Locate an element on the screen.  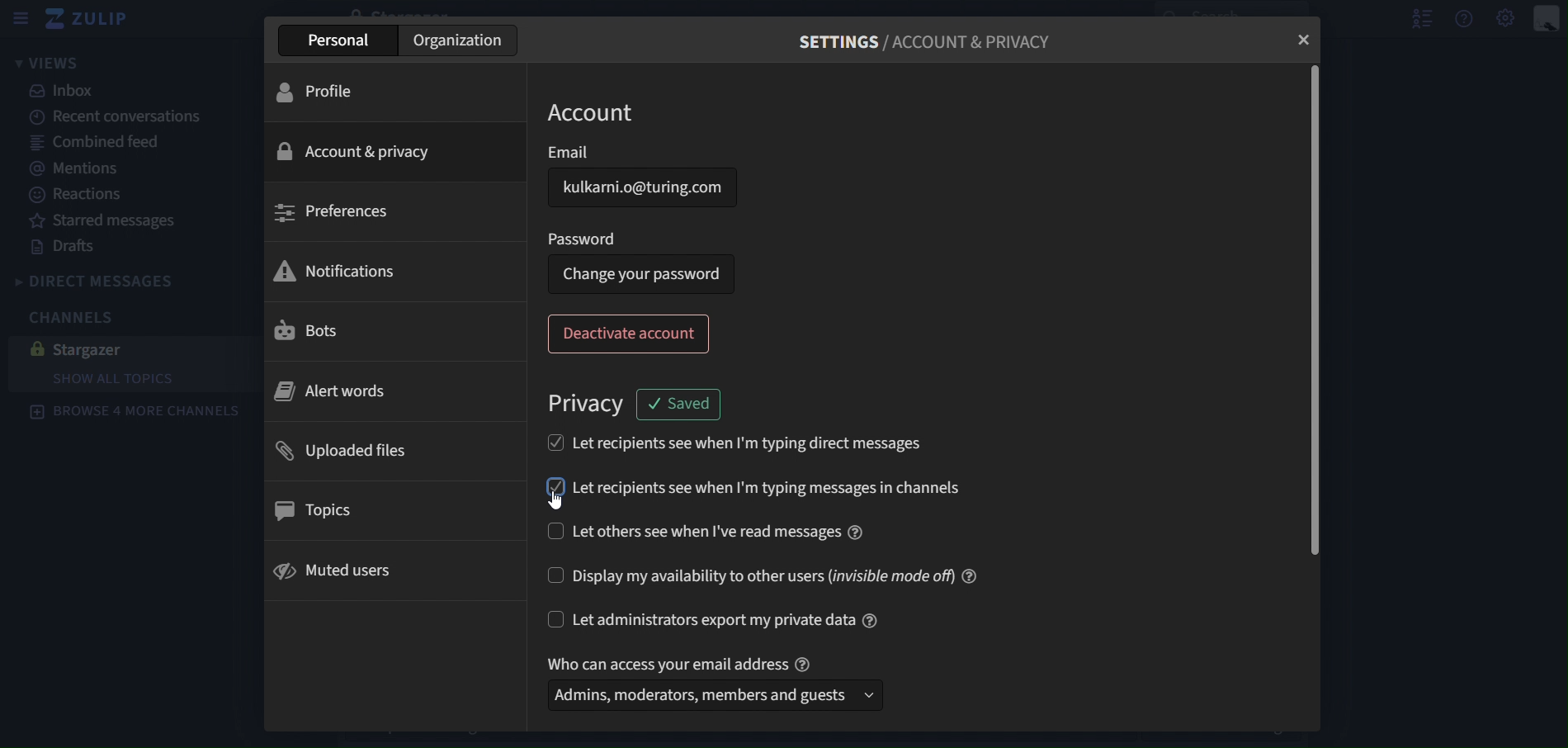
password is located at coordinates (588, 240).